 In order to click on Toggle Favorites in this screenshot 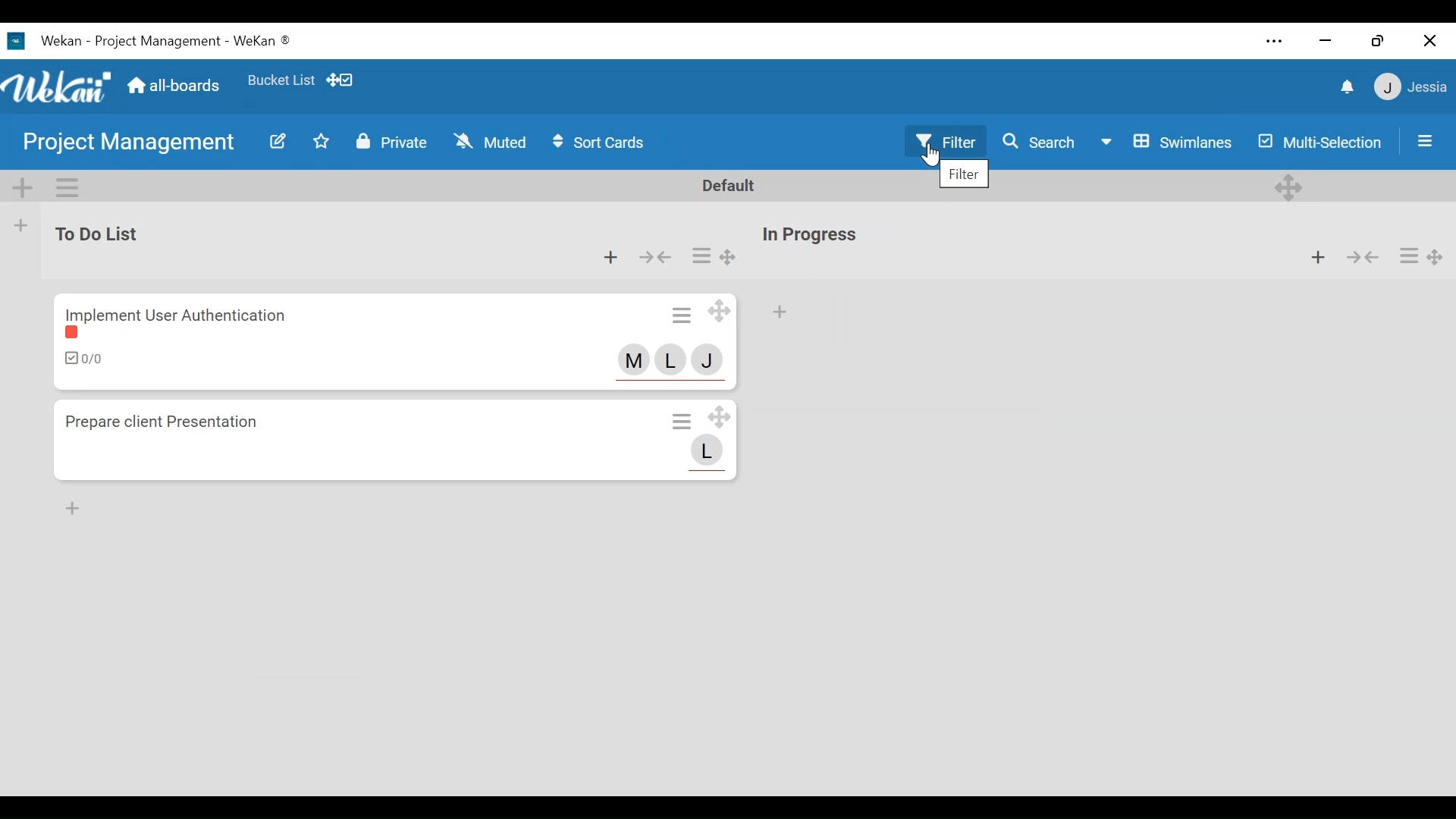, I will do `click(322, 142)`.